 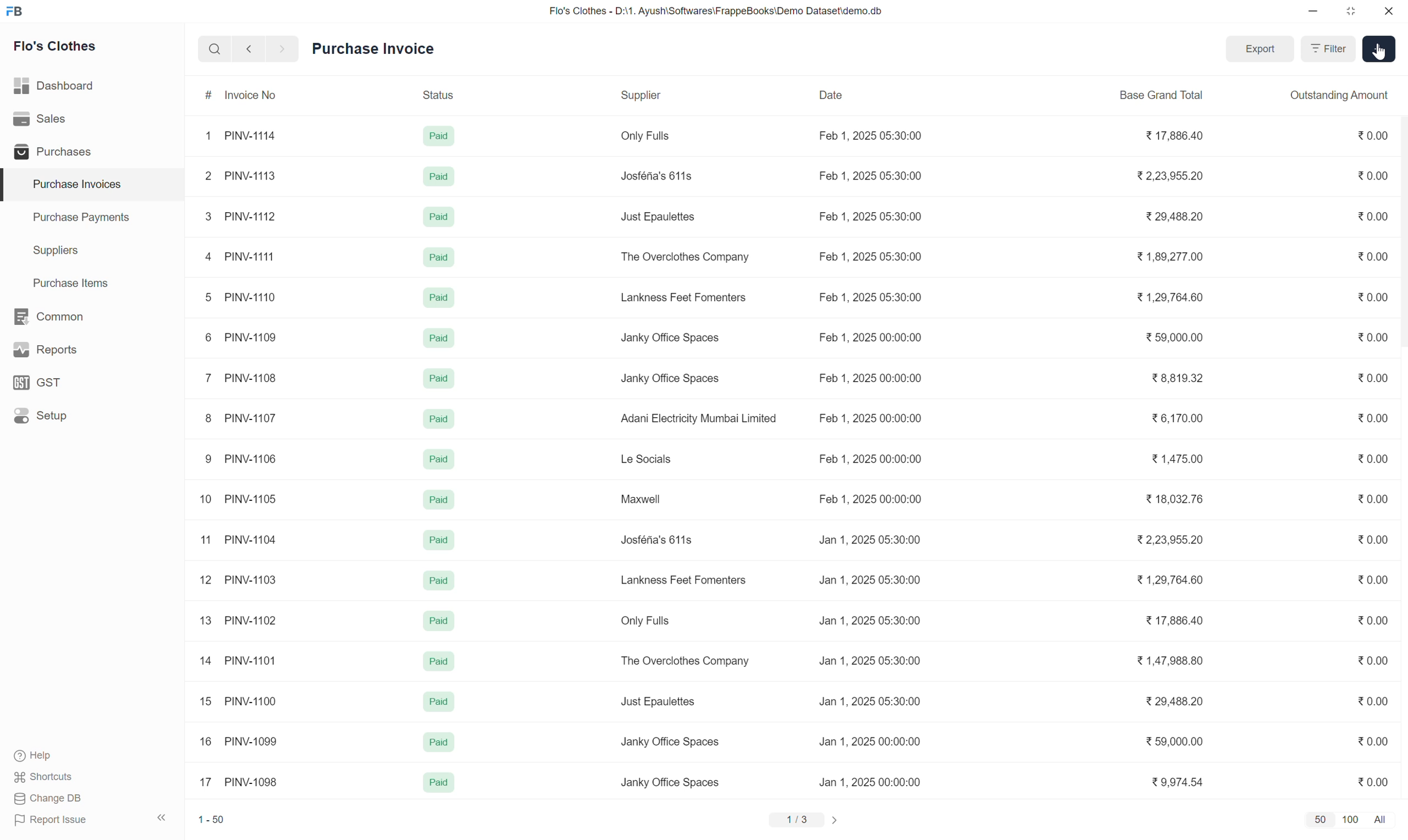 I want to click on Jan 1, 2025 05:30:00, so click(x=868, y=620).